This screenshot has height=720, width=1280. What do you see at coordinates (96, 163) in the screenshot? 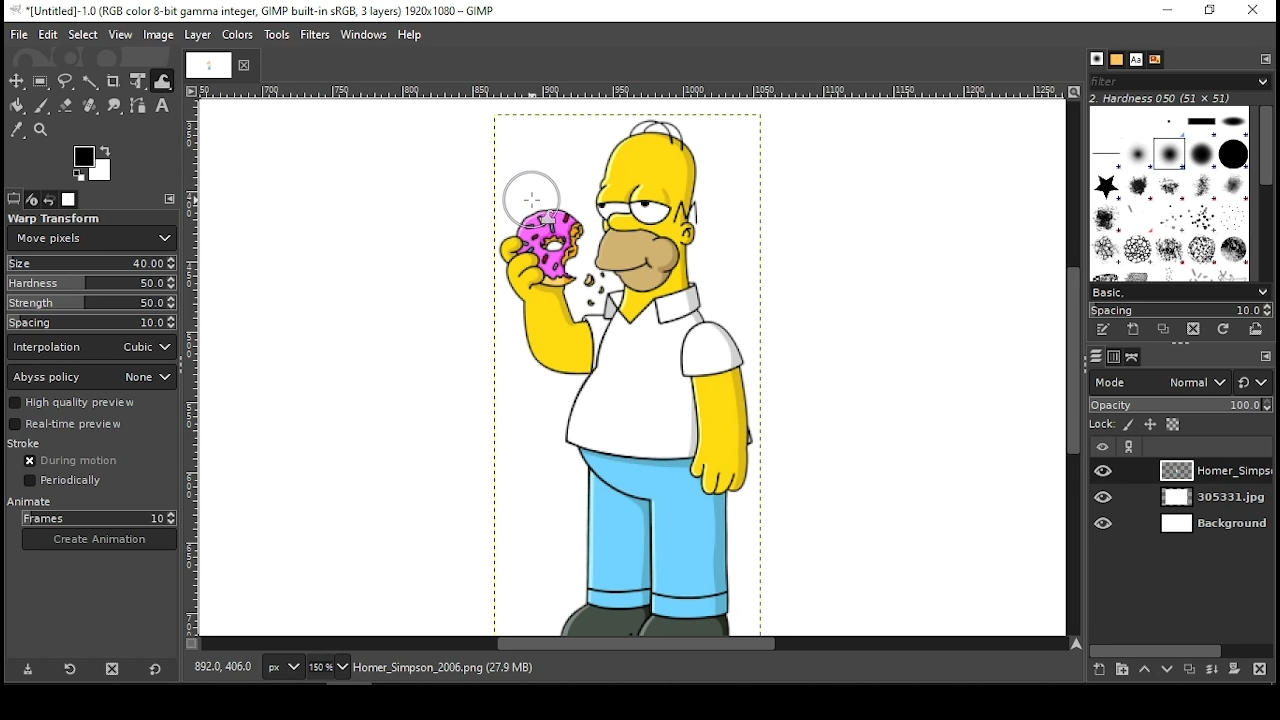
I see `colors` at bounding box center [96, 163].